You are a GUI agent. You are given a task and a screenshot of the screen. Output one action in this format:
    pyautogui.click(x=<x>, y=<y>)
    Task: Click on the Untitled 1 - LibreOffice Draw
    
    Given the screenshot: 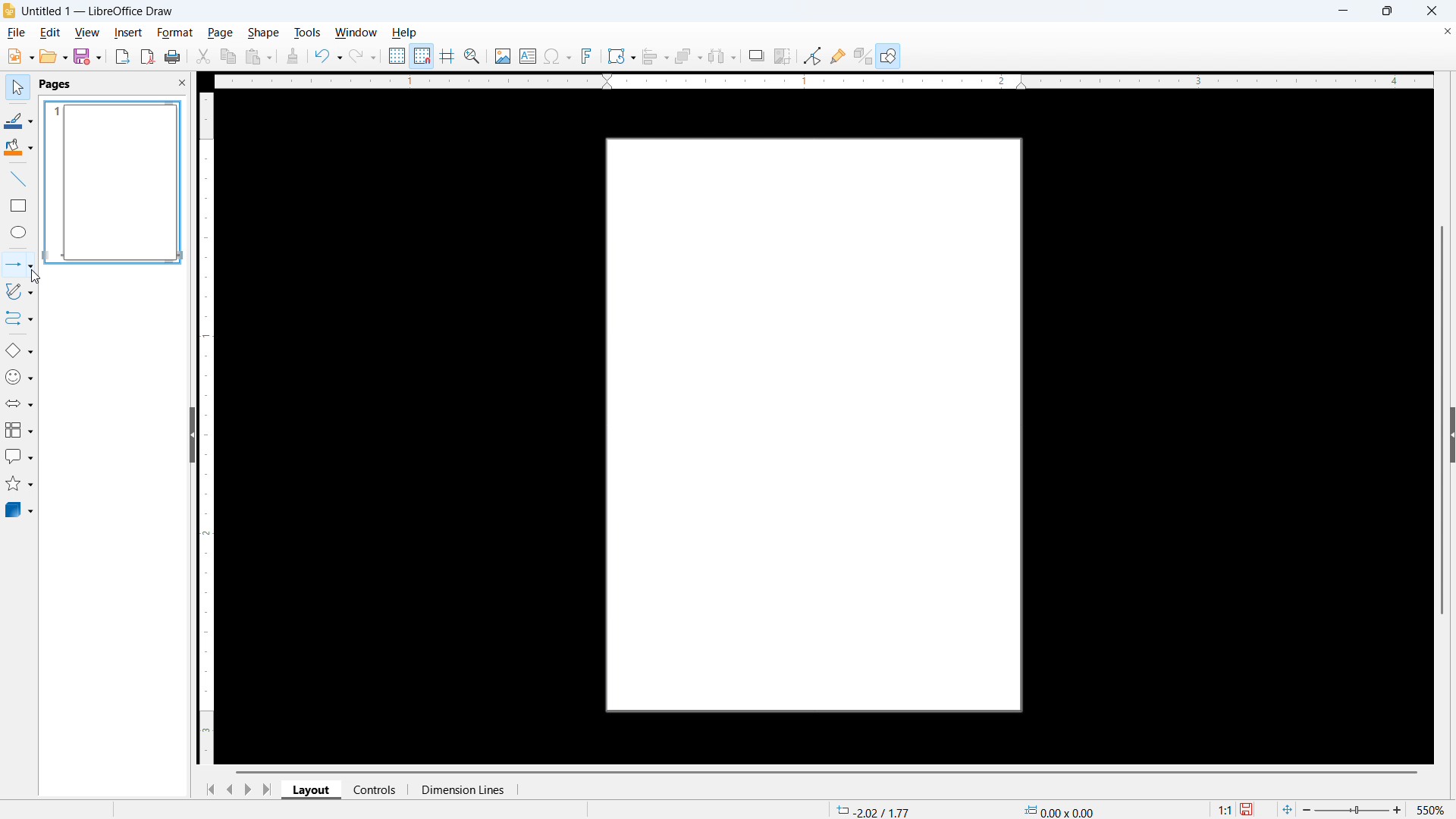 What is the action you would take?
    pyautogui.click(x=99, y=11)
    